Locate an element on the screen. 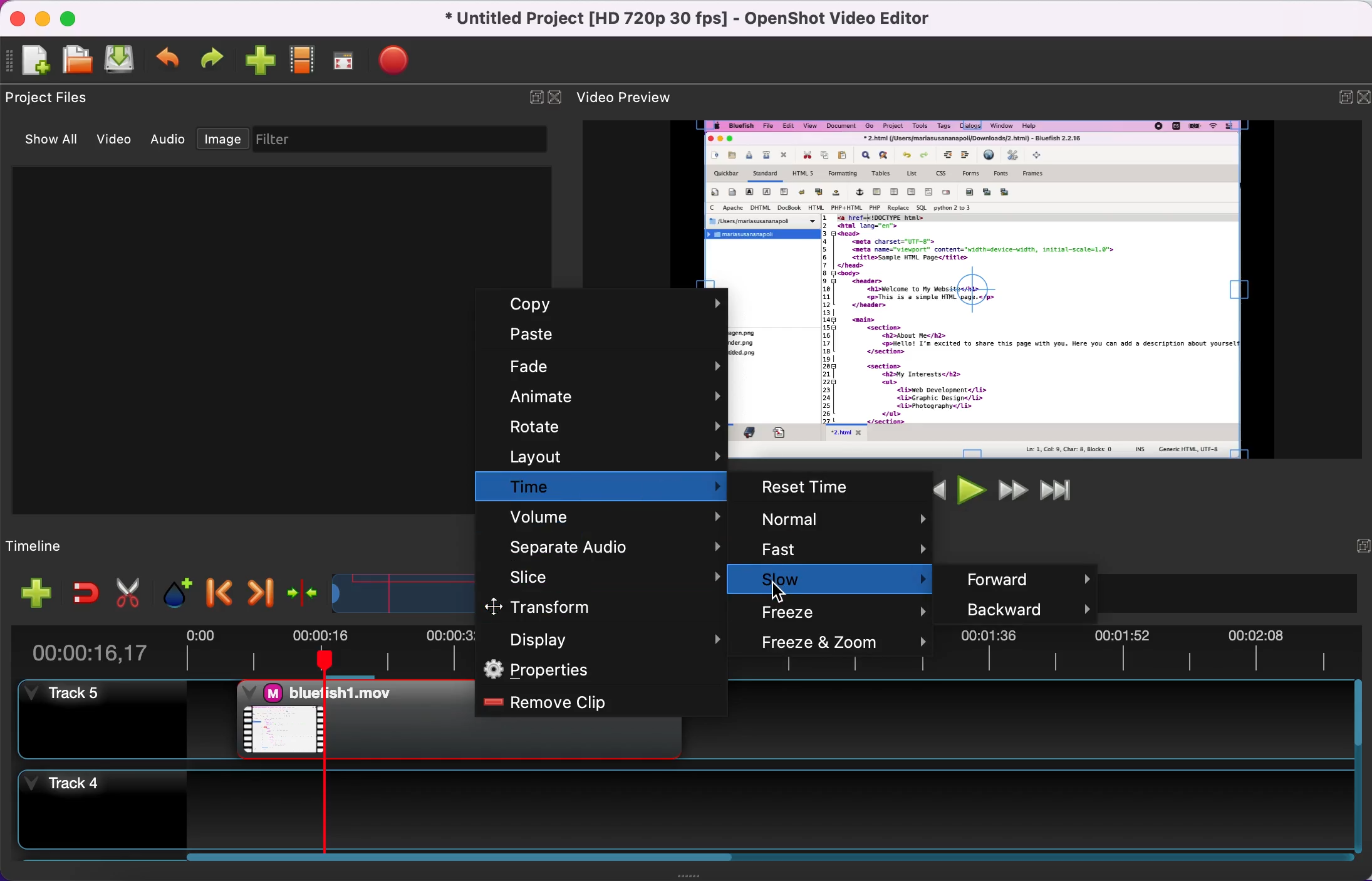  properties is located at coordinates (600, 670).